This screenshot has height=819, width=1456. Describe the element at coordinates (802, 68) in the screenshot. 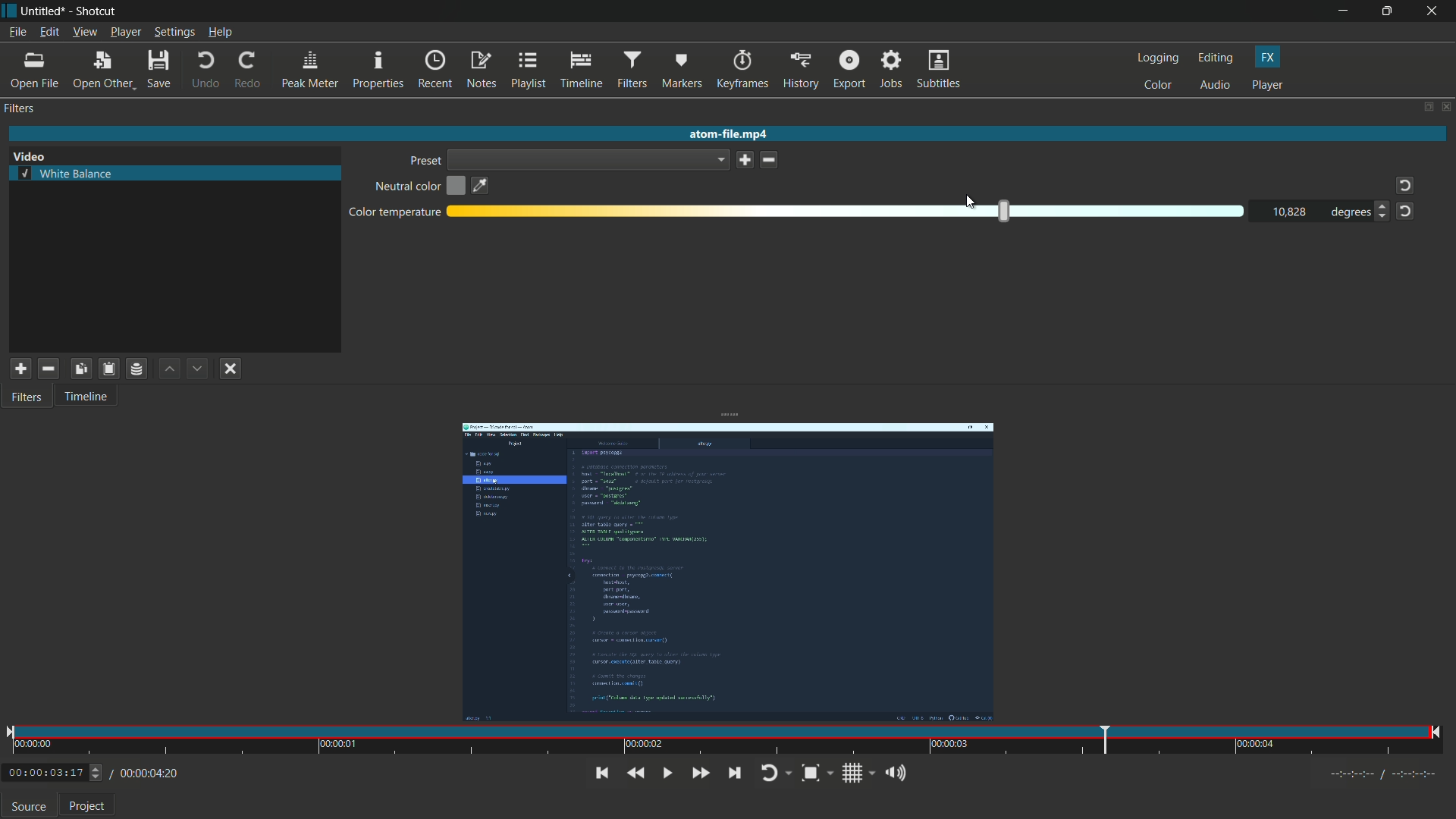

I see `history` at that location.